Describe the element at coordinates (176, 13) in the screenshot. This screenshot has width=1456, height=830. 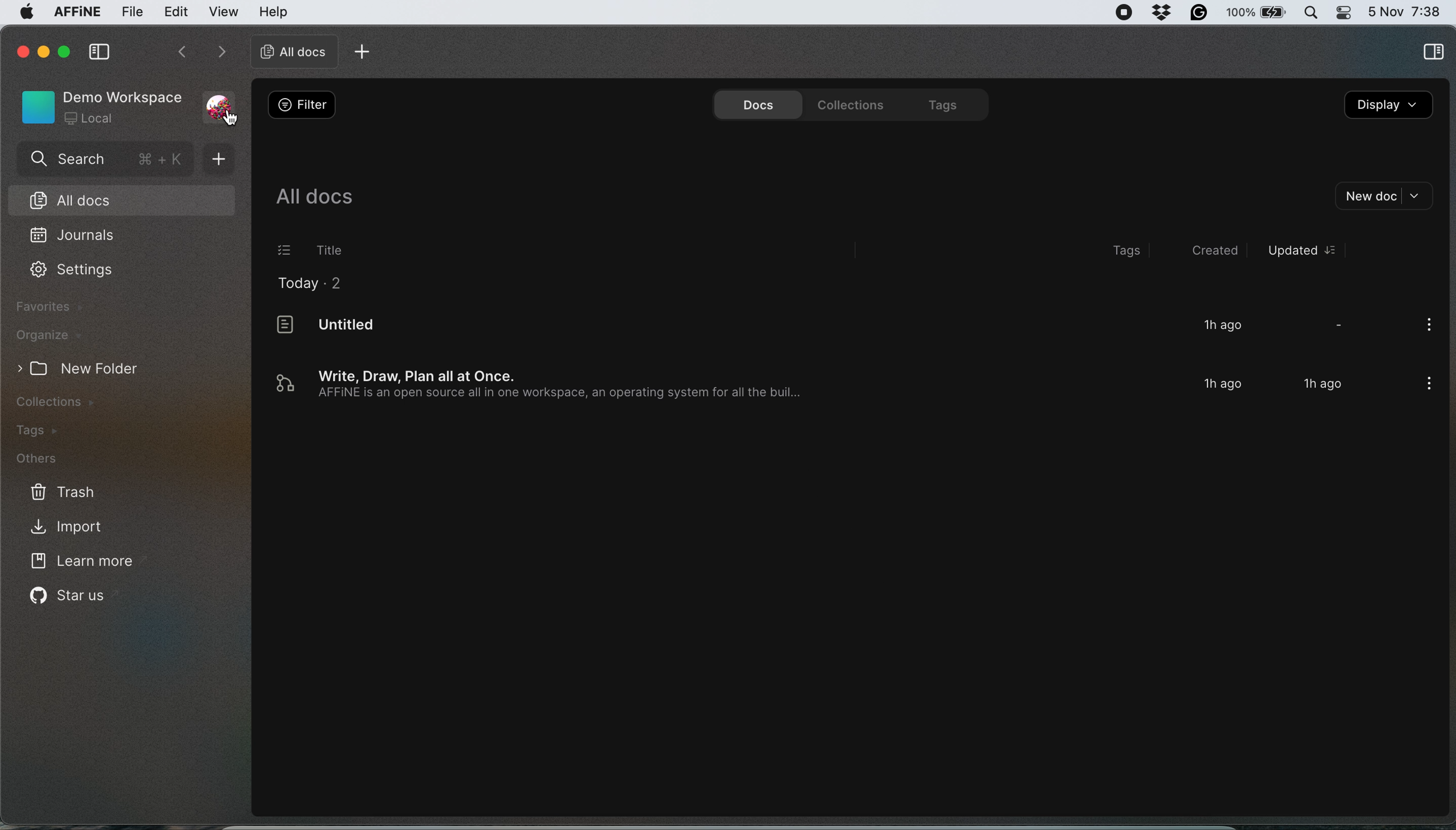
I see `edit` at that location.